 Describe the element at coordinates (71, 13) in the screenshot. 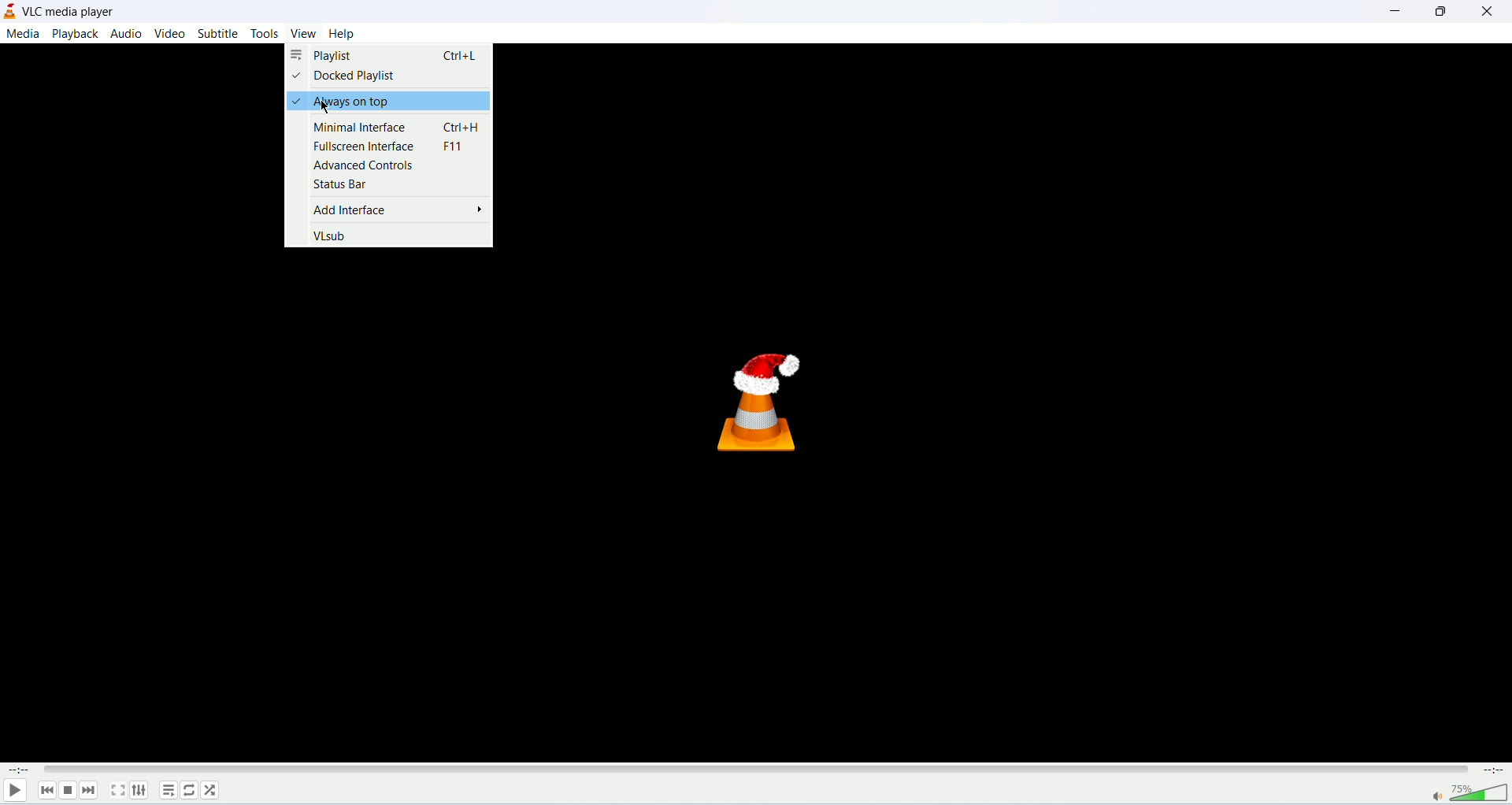

I see `vlc media player` at that location.